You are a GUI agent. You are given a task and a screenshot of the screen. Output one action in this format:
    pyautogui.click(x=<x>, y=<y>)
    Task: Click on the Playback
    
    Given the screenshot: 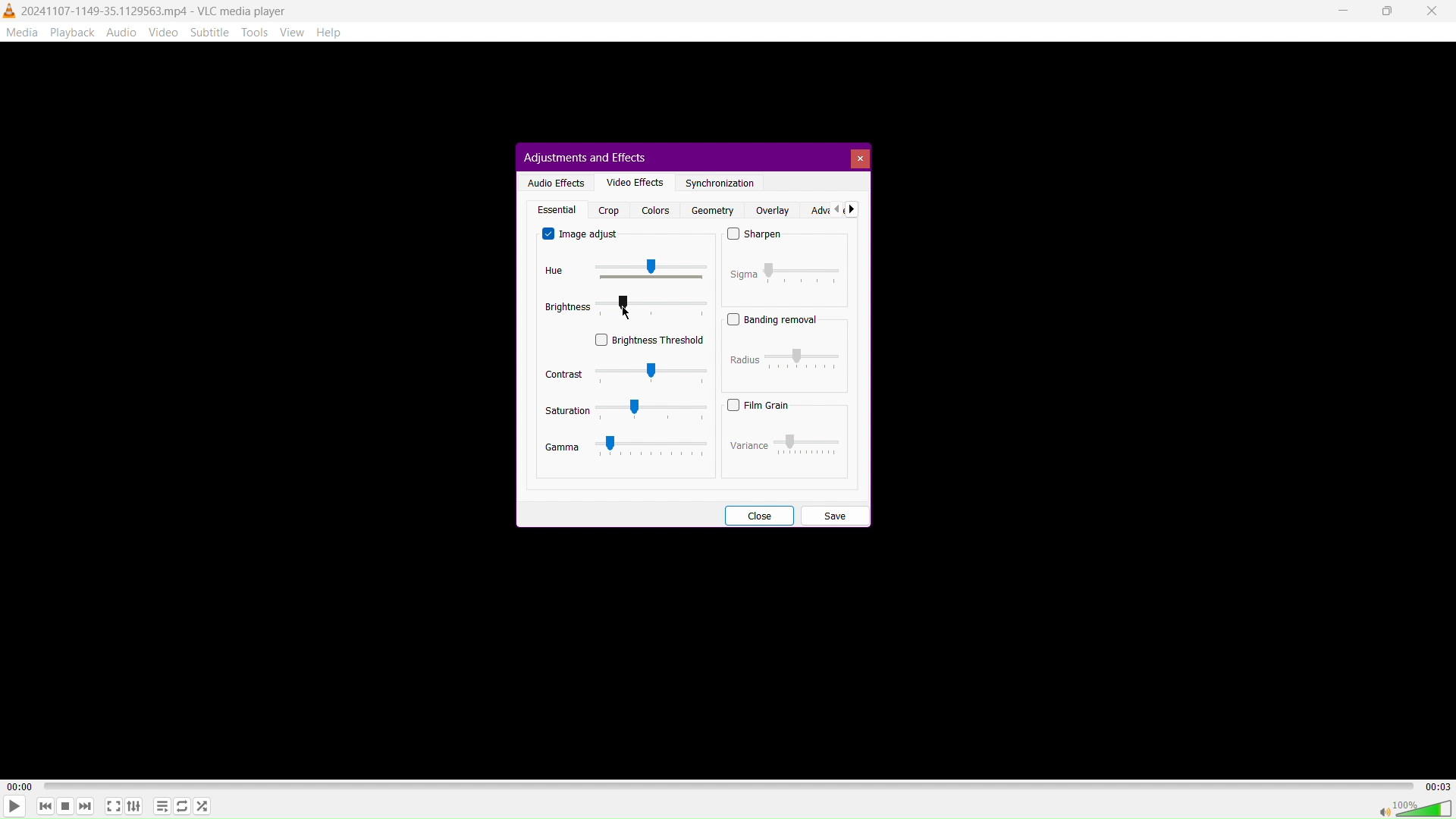 What is the action you would take?
    pyautogui.click(x=71, y=32)
    